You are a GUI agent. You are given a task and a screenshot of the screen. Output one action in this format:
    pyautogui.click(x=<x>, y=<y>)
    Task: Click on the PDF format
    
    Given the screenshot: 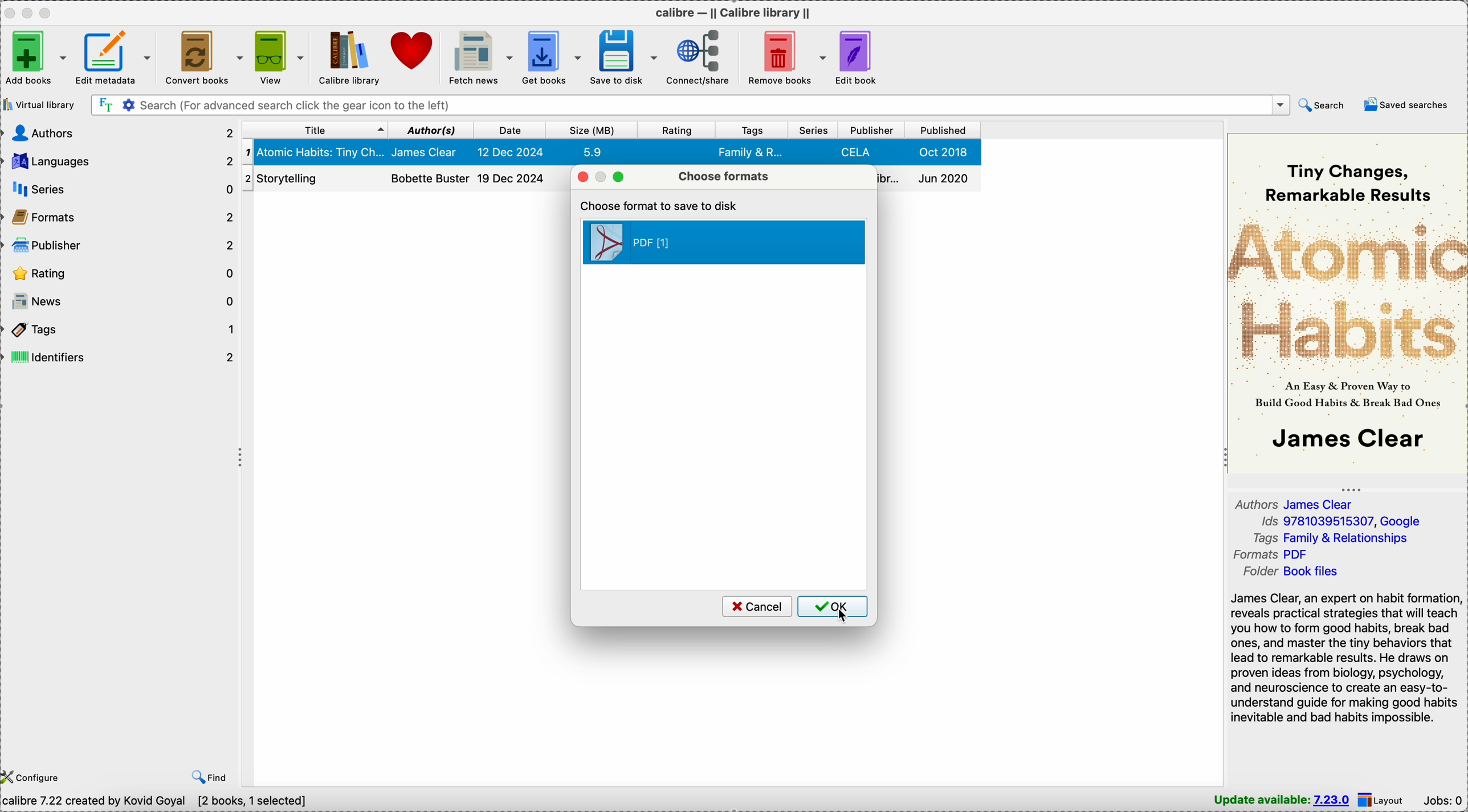 What is the action you would take?
    pyautogui.click(x=724, y=242)
    